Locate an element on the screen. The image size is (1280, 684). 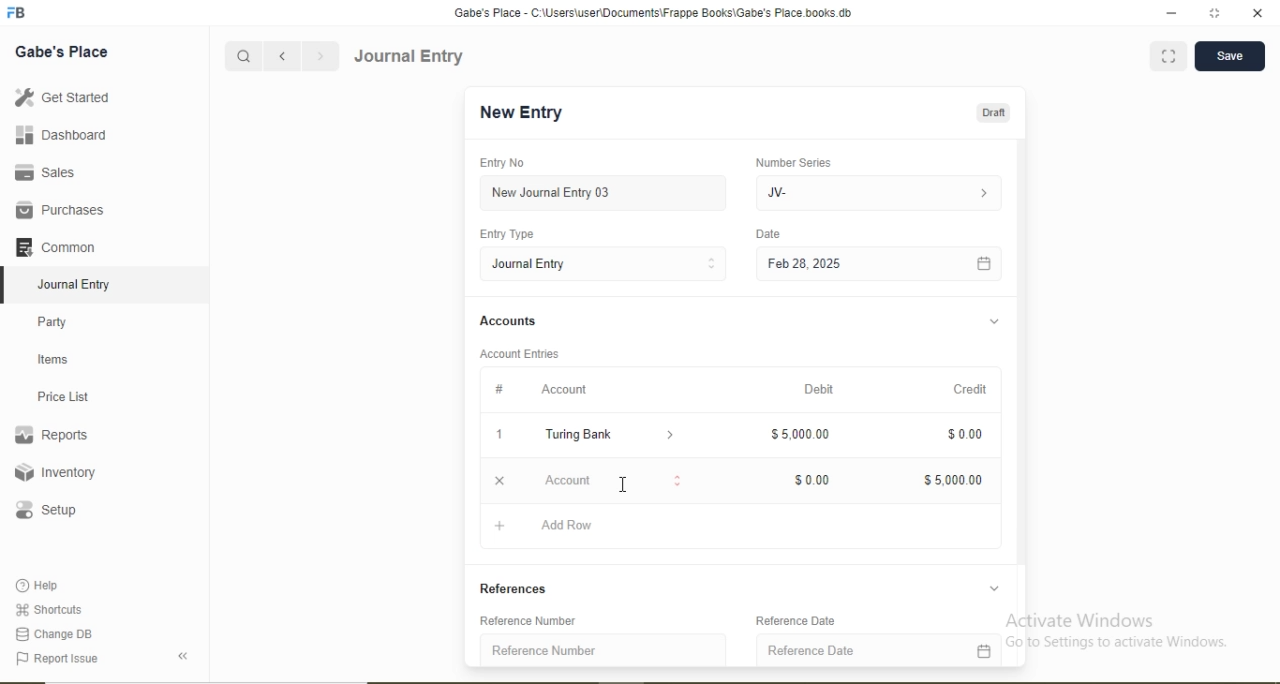
Entry No is located at coordinates (501, 162).